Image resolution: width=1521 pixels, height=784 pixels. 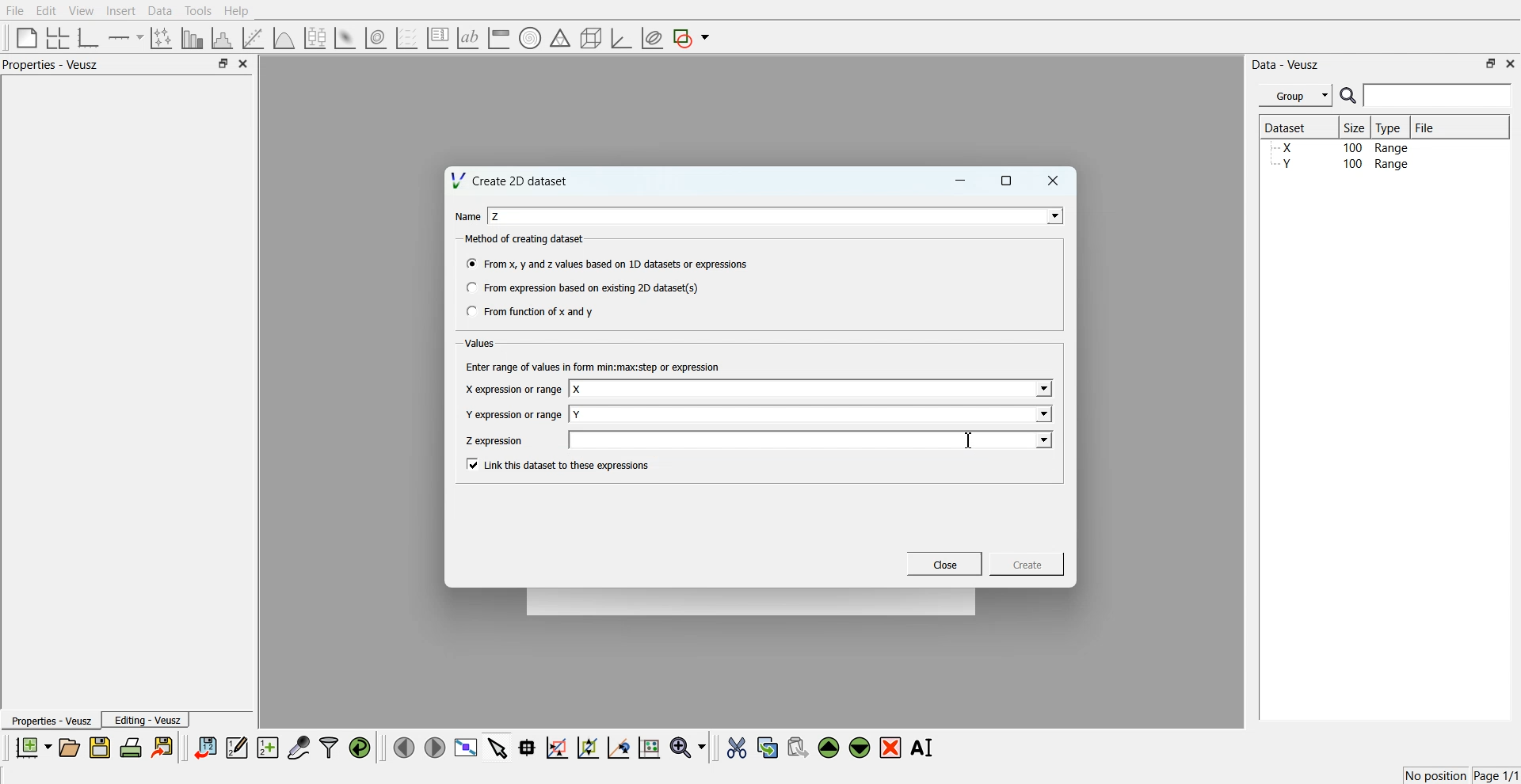 I want to click on il [Link this dataset to these expressions, so click(x=559, y=464).